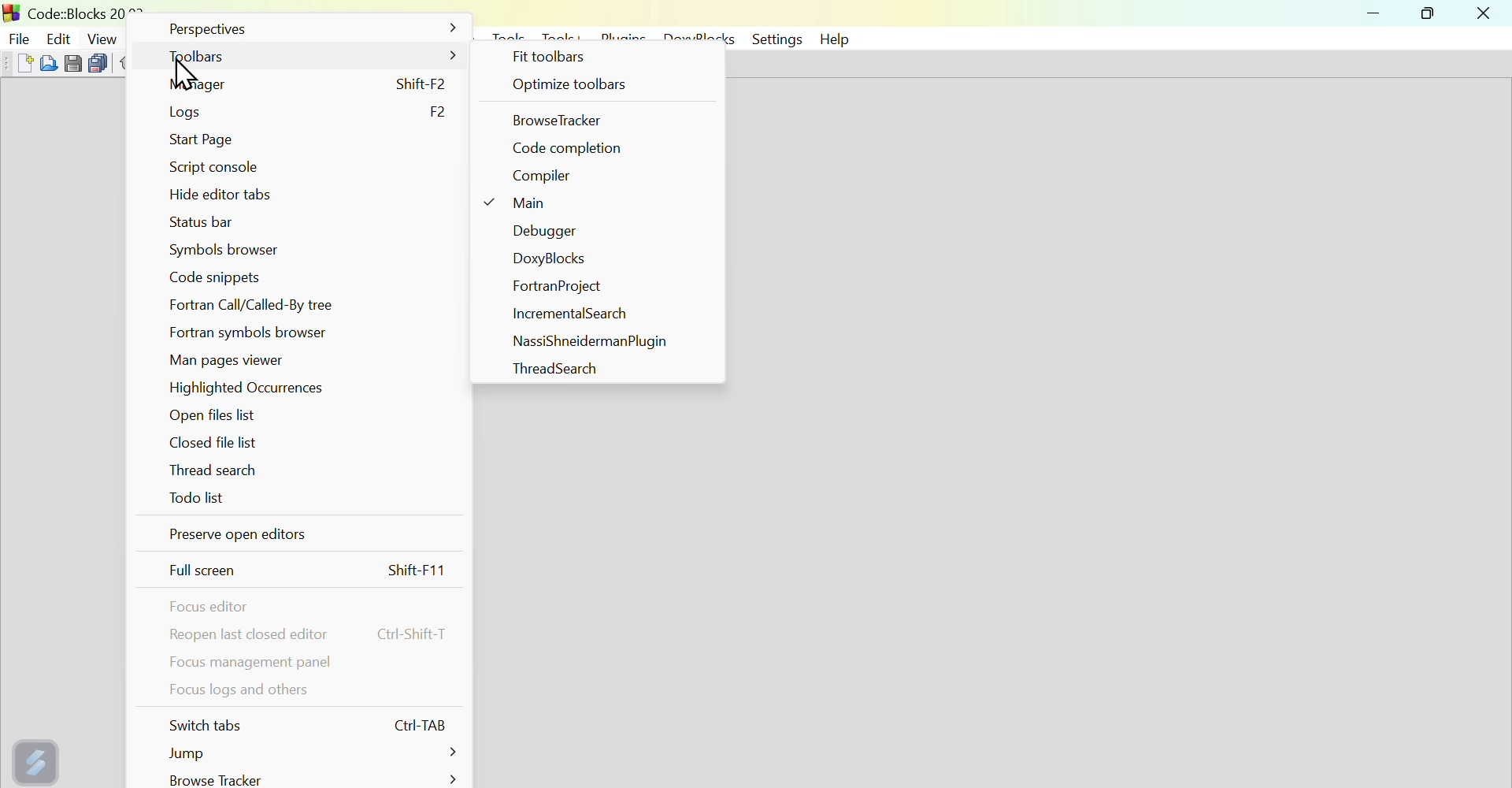  I want to click on Fit toolbars, so click(553, 57).